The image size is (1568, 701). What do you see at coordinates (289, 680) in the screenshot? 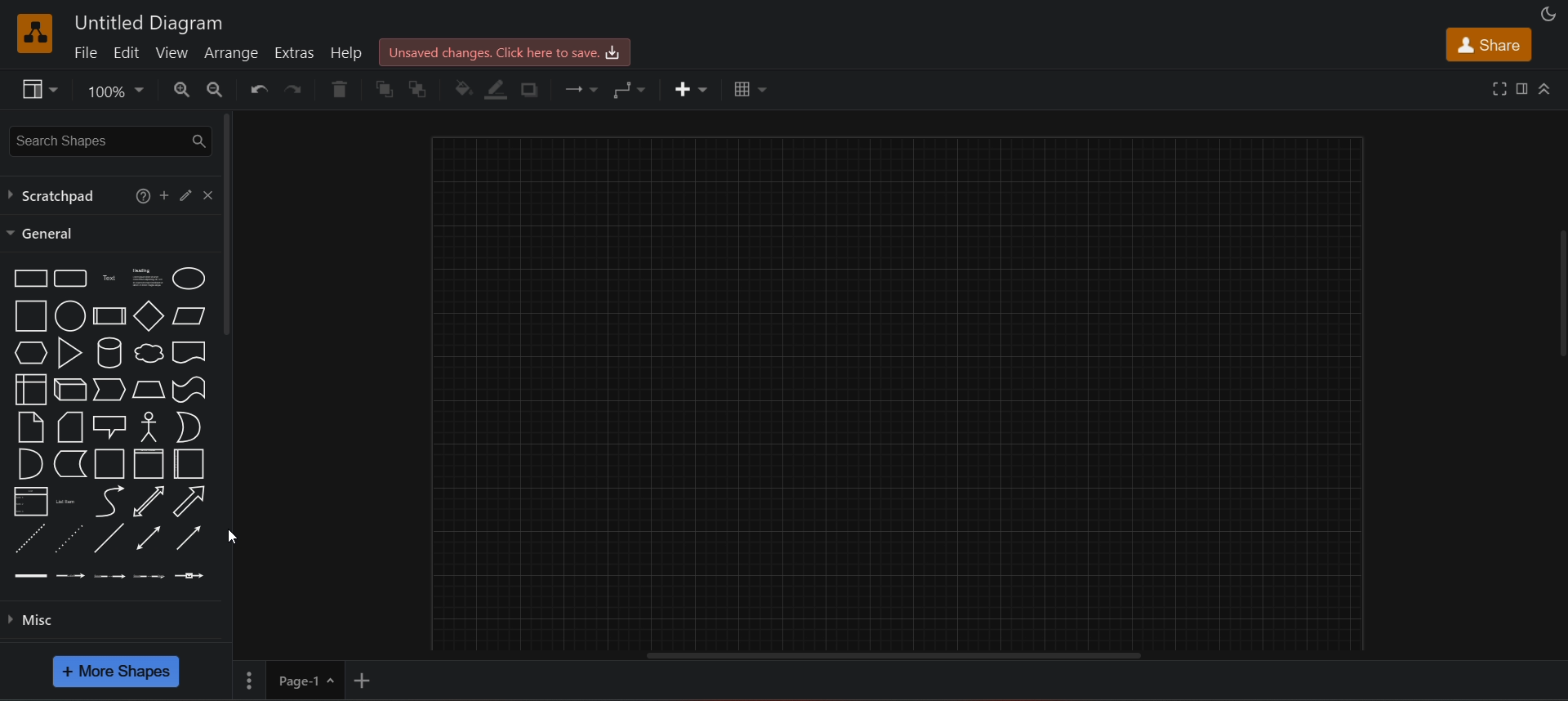
I see `page 1` at bounding box center [289, 680].